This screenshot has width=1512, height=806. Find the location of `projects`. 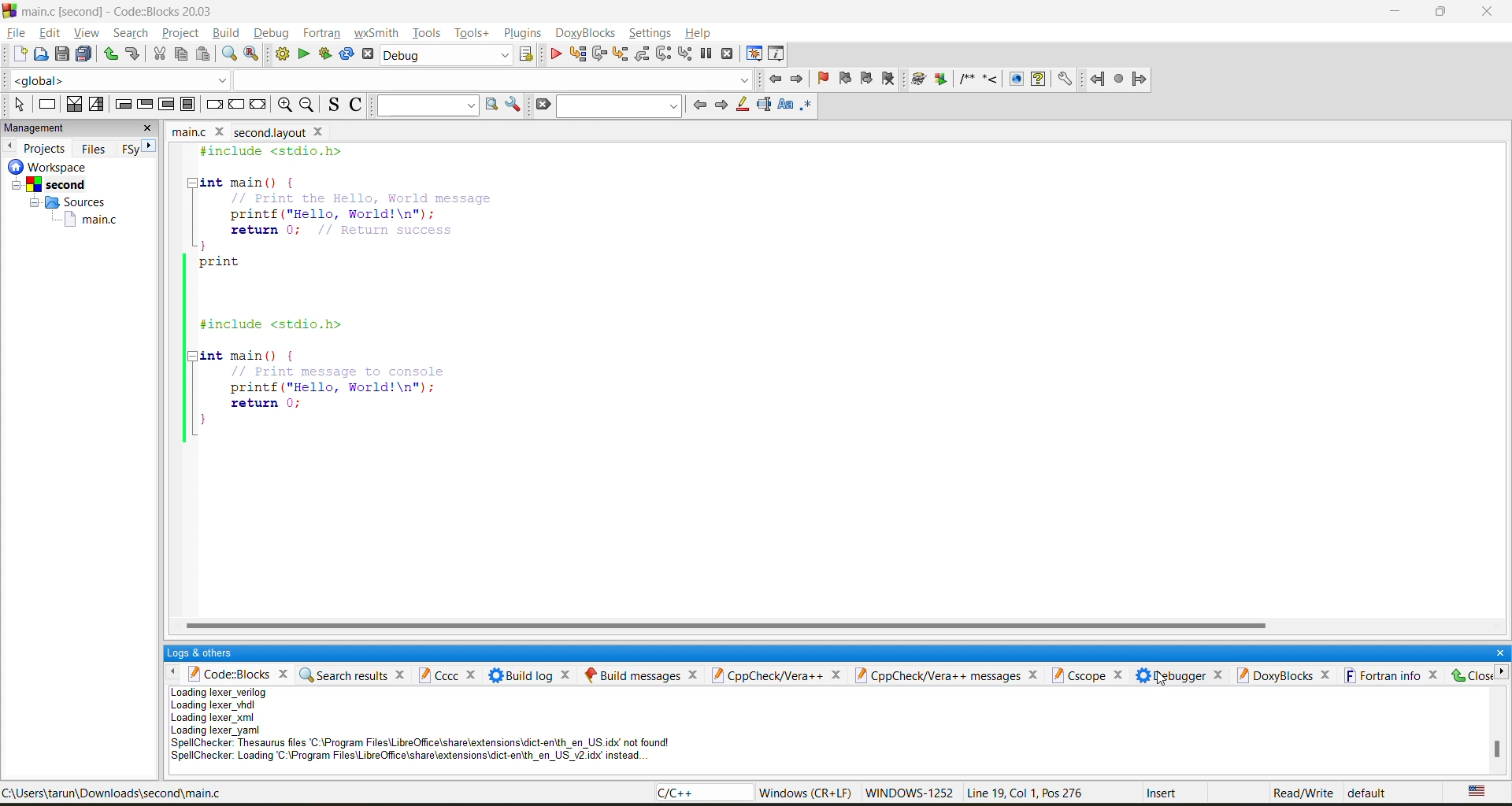

projects is located at coordinates (47, 147).